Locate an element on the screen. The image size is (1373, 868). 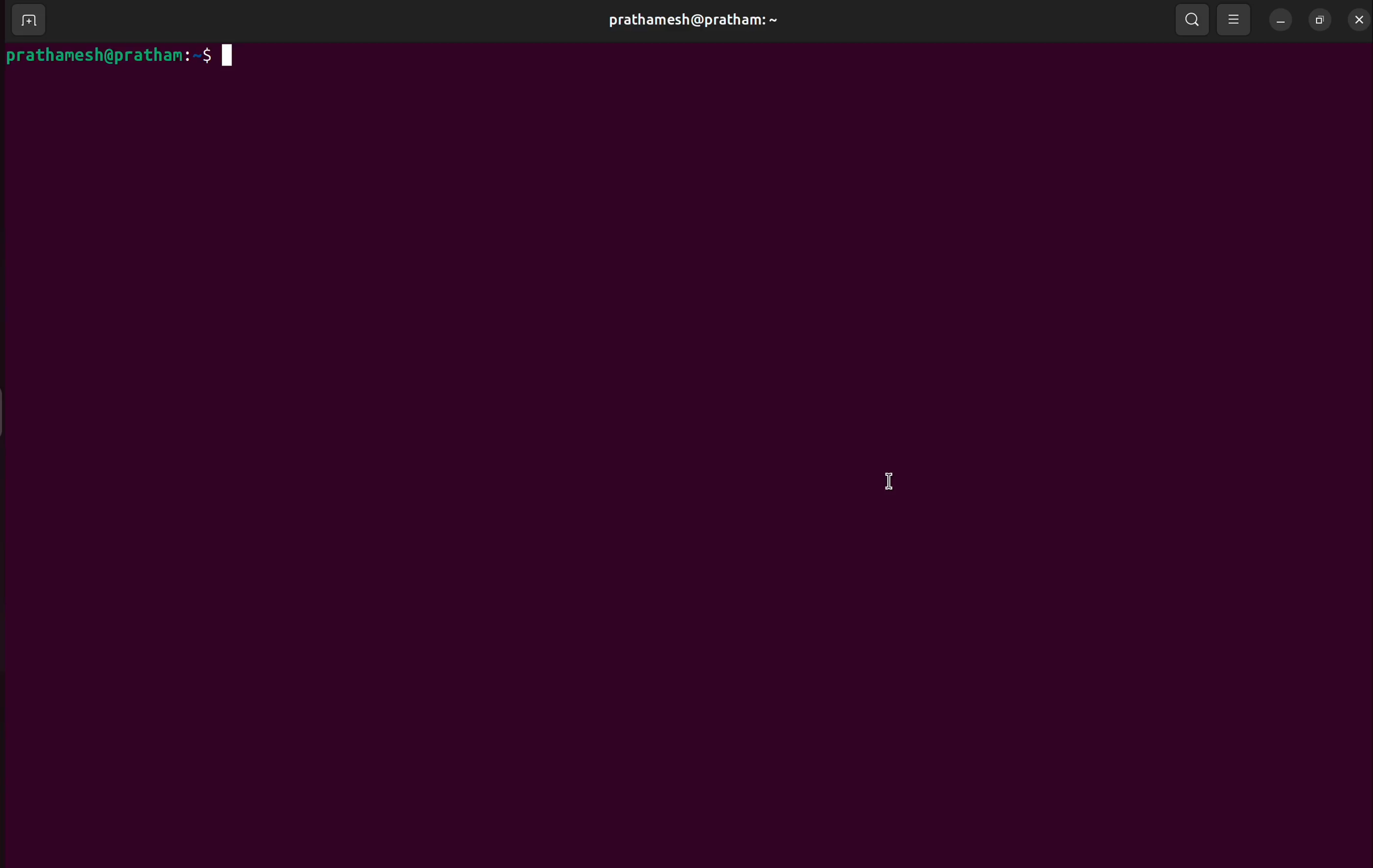
minimize is located at coordinates (1283, 18).